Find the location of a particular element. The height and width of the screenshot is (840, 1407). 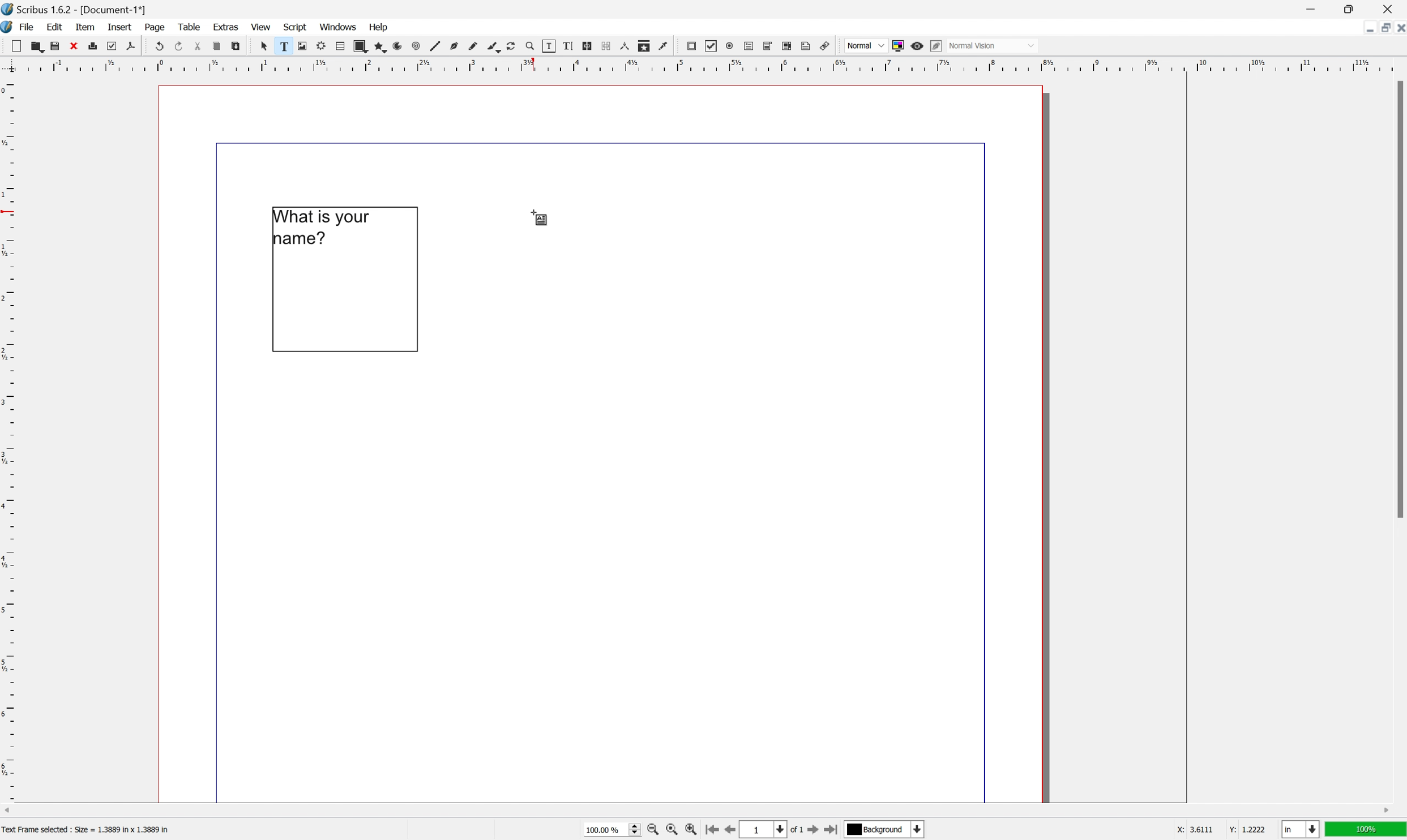

close is located at coordinates (1398, 29).